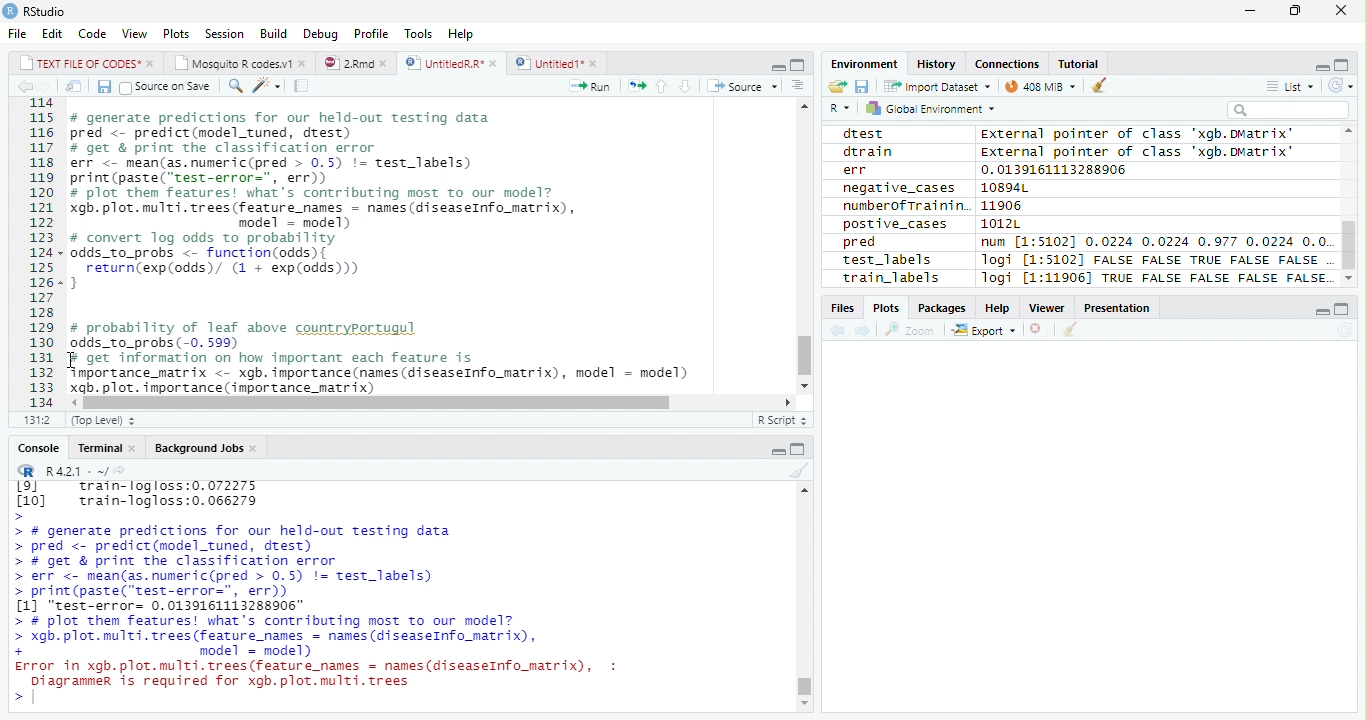 The height and width of the screenshot is (720, 1366). I want to click on Maximize, so click(801, 447).